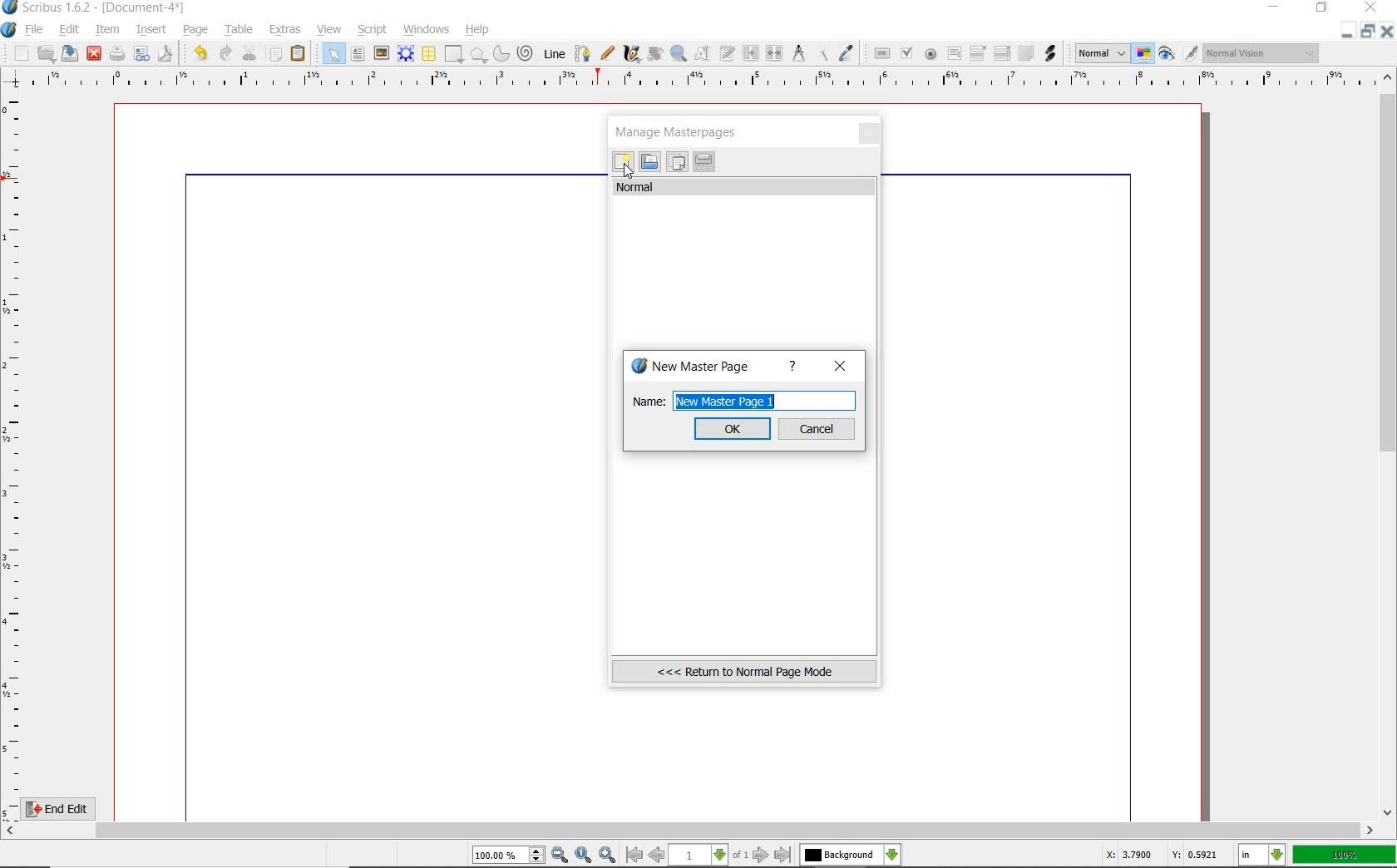  What do you see at coordinates (841, 366) in the screenshot?
I see `close` at bounding box center [841, 366].